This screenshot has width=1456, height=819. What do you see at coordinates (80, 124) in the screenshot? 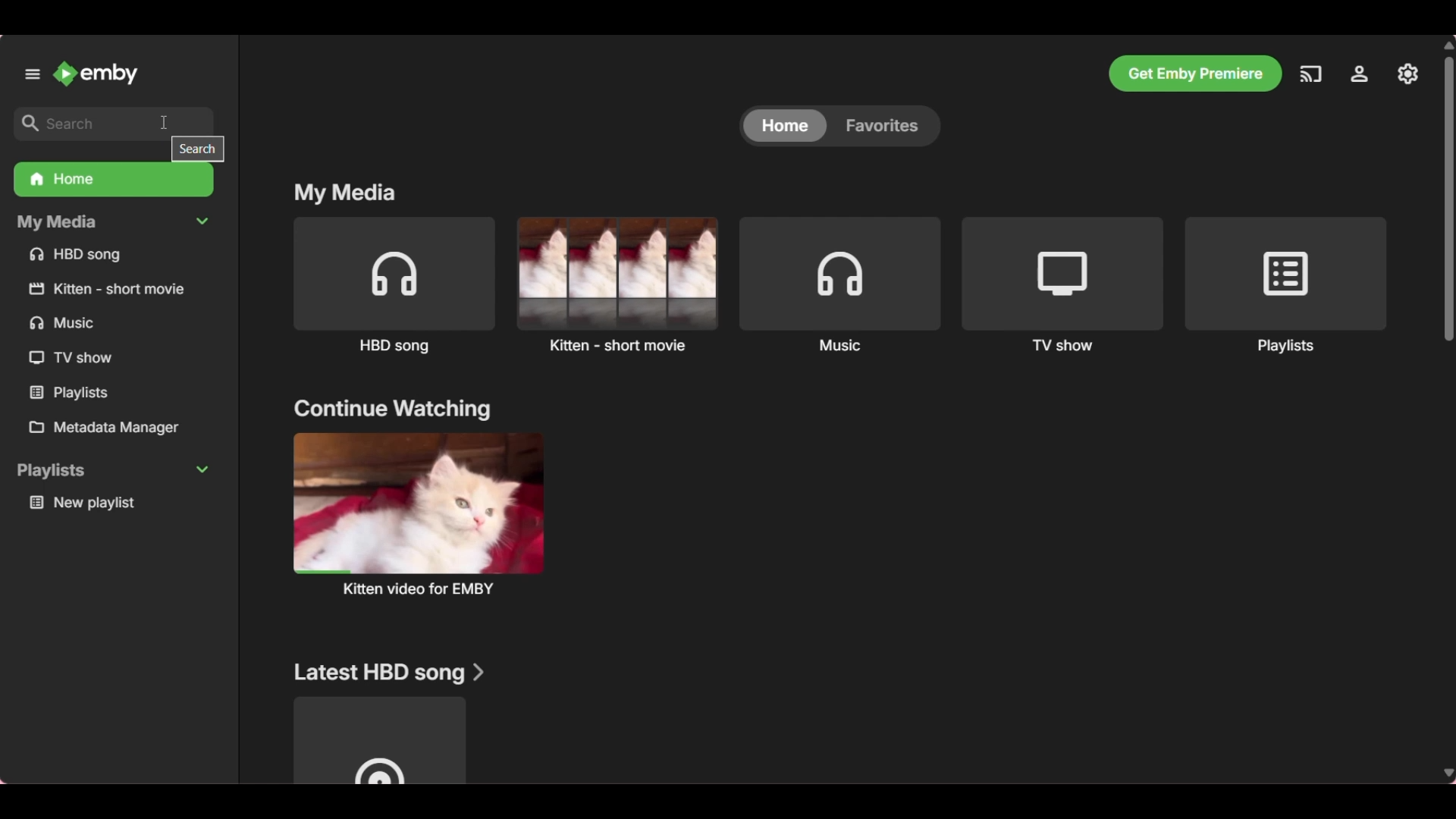
I see `search` at bounding box center [80, 124].